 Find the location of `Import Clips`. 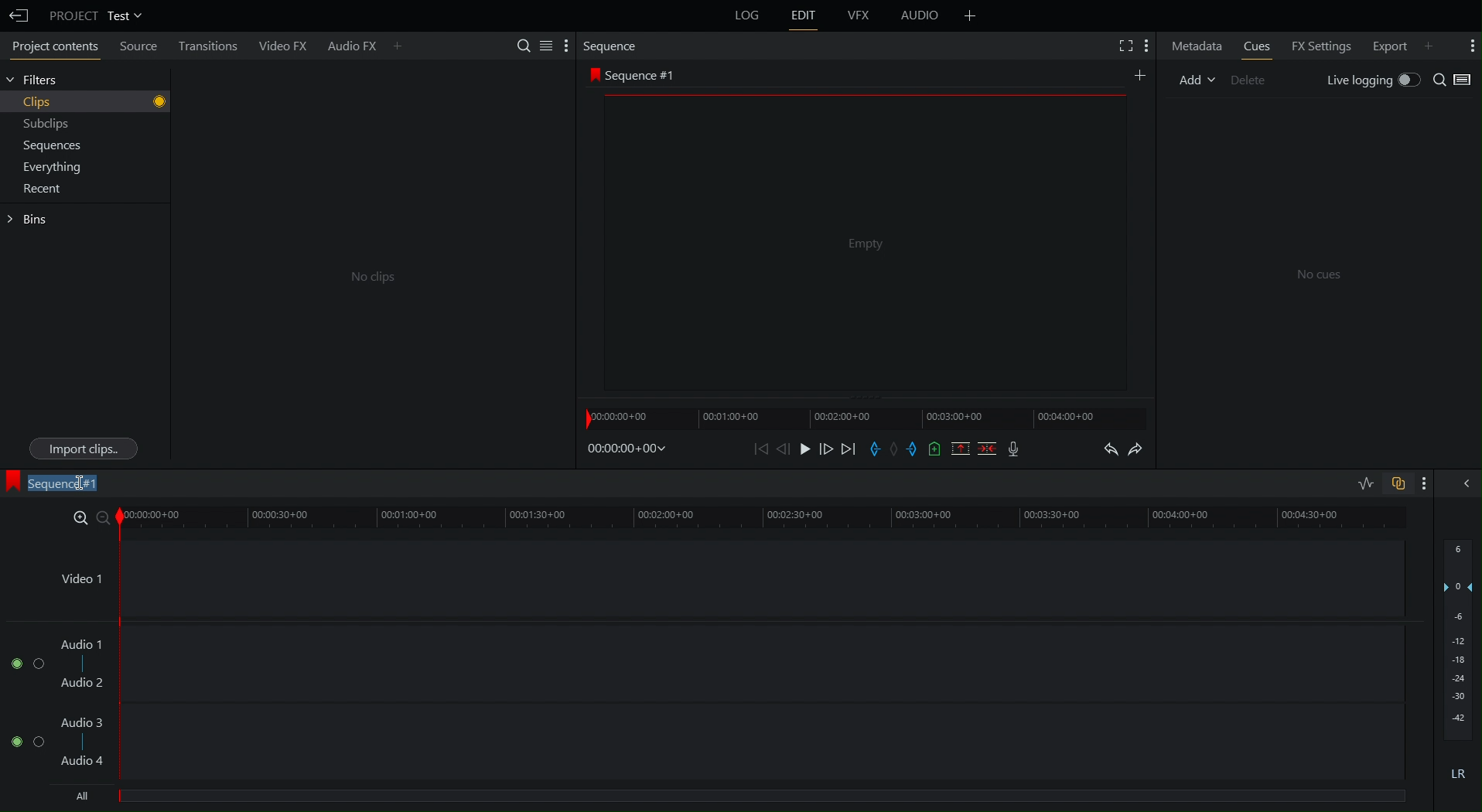

Import Clips is located at coordinates (83, 449).